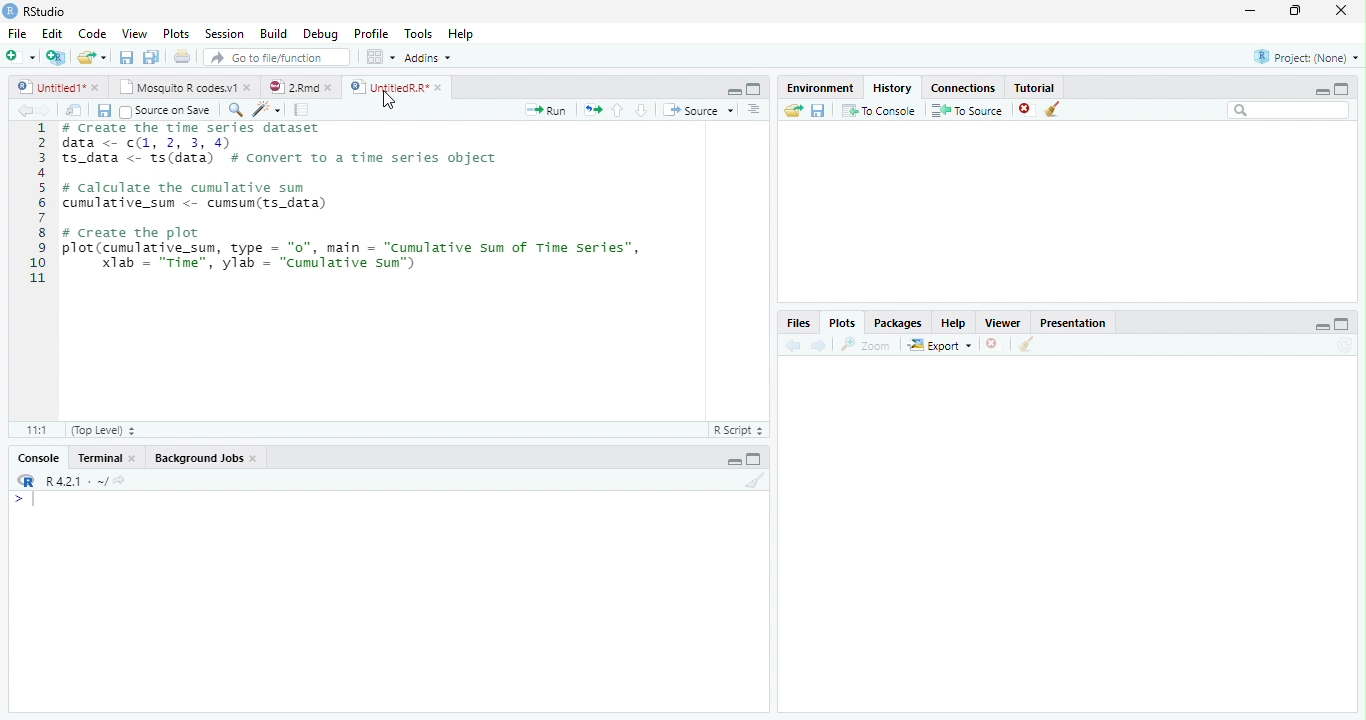 The width and height of the screenshot is (1366, 720). I want to click on Source on save, so click(167, 112).